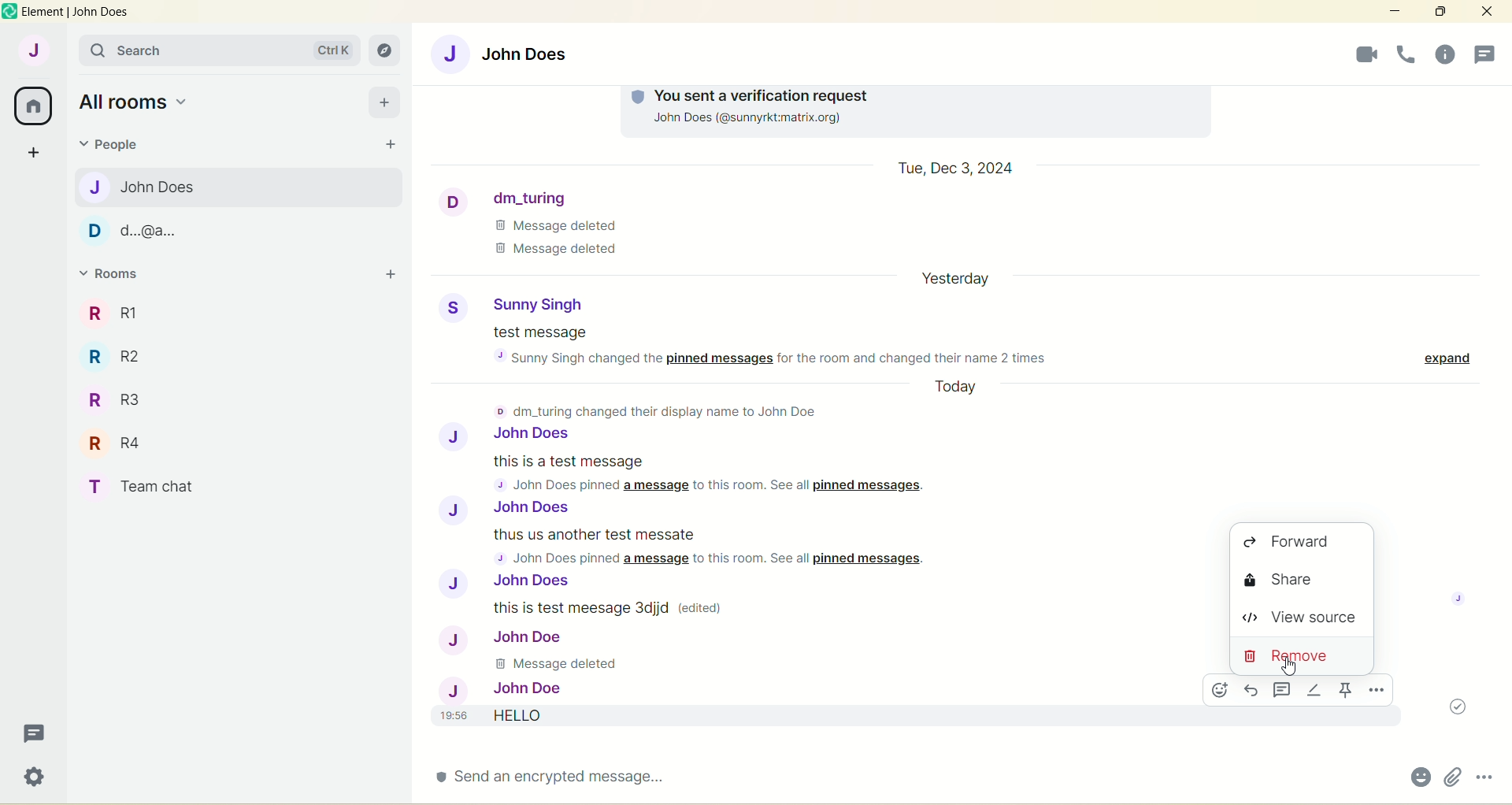 The image size is (1512, 805). I want to click on Message Deleted Message deleted, so click(566, 242).